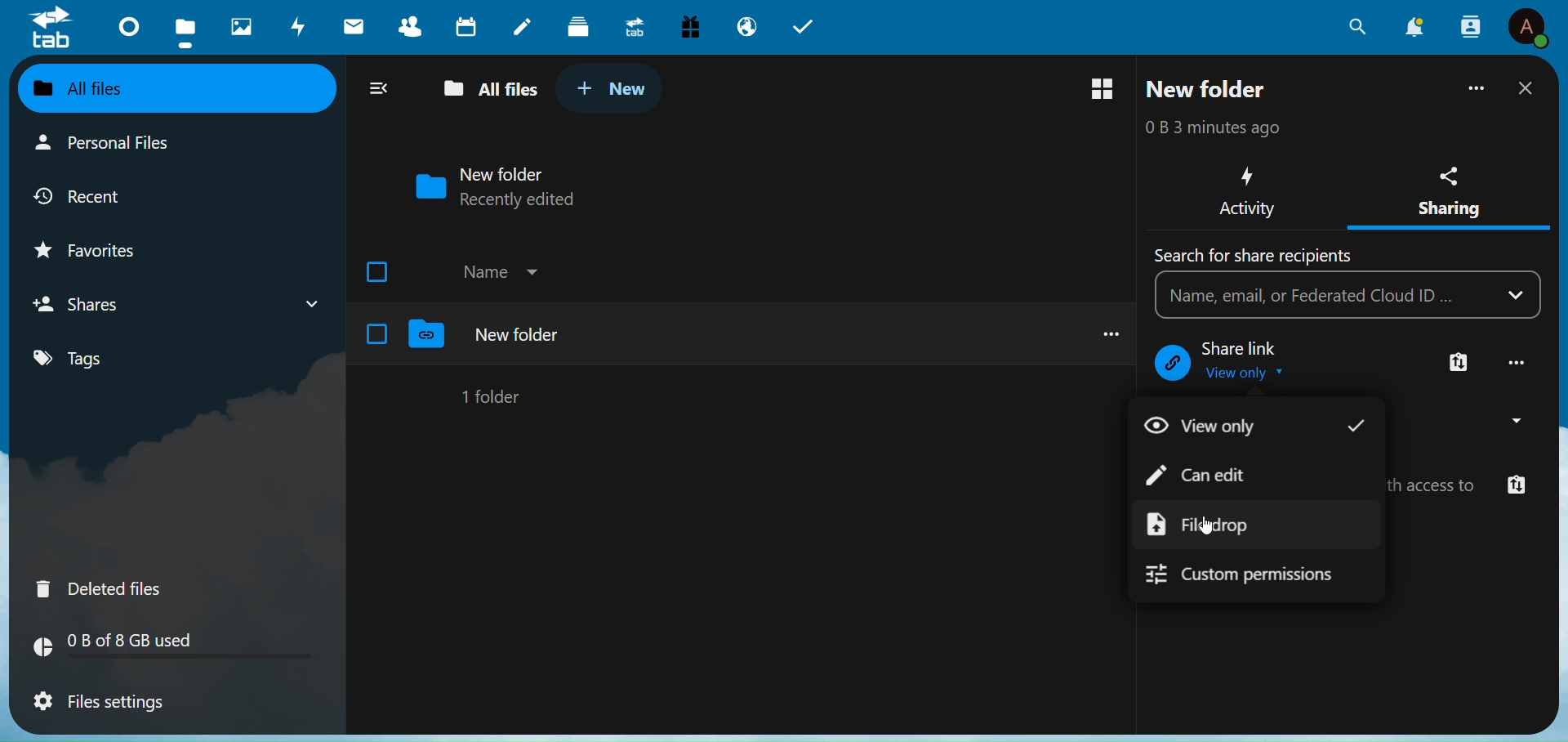  I want to click on Drop Down, so click(1521, 294).